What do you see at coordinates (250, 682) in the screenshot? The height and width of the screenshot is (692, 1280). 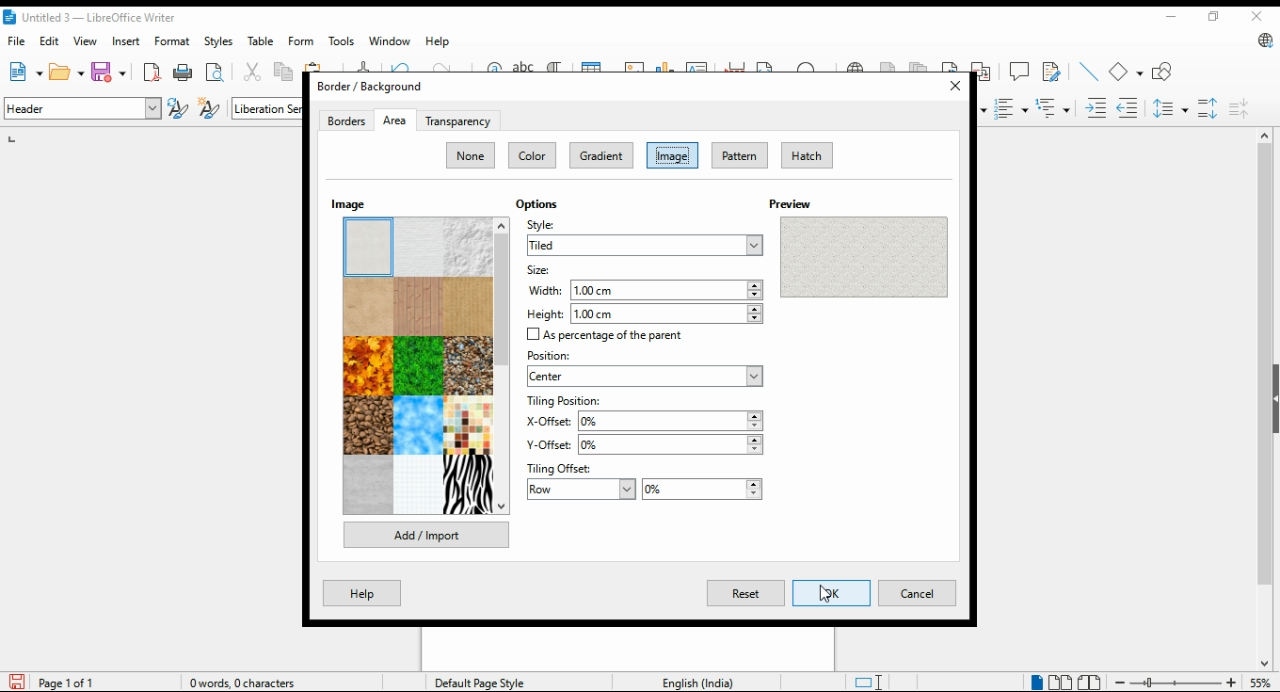 I see `document information` at bounding box center [250, 682].